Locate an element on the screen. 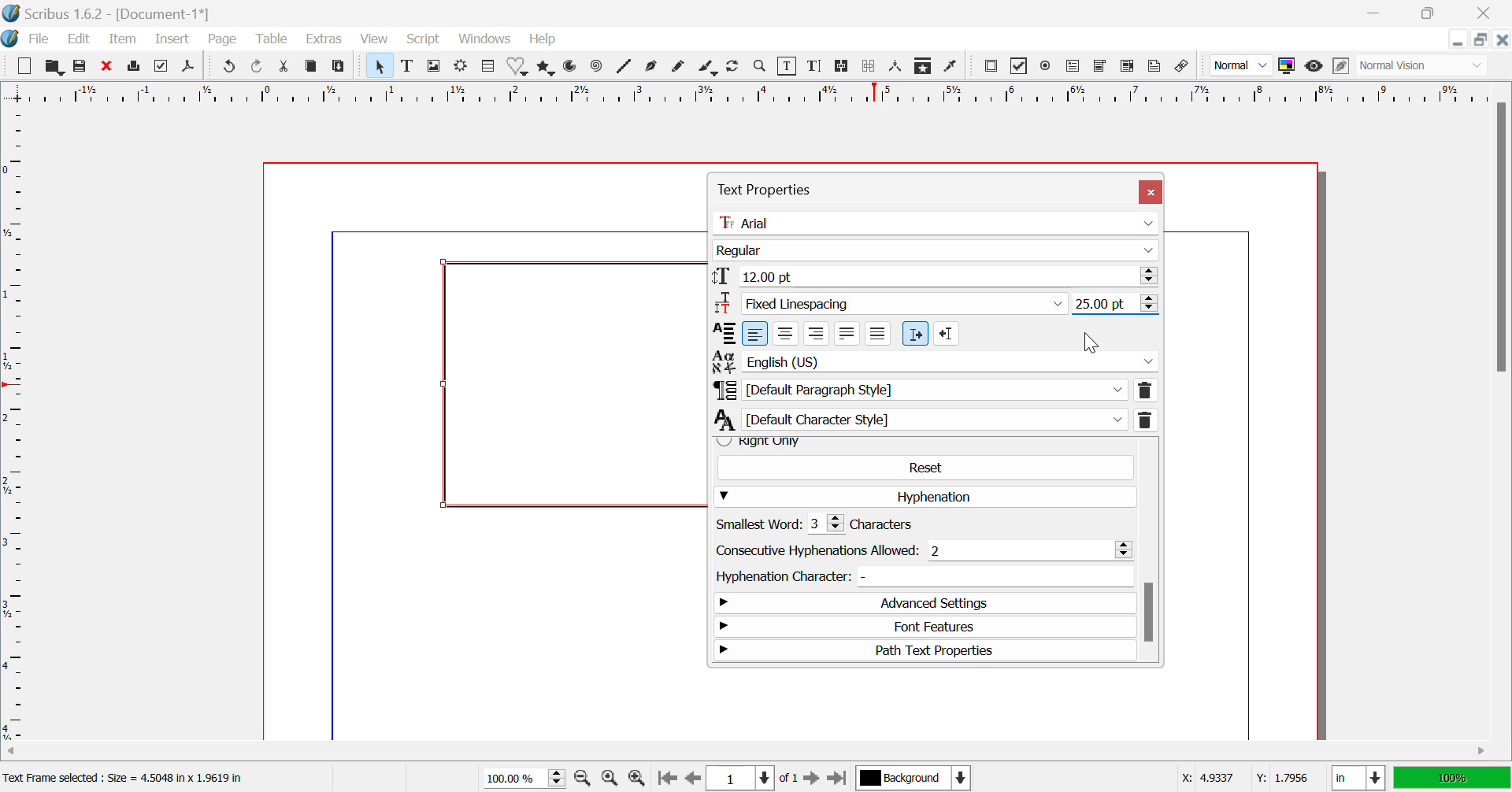 The image size is (1512, 792). Minimize is located at coordinates (1429, 12).